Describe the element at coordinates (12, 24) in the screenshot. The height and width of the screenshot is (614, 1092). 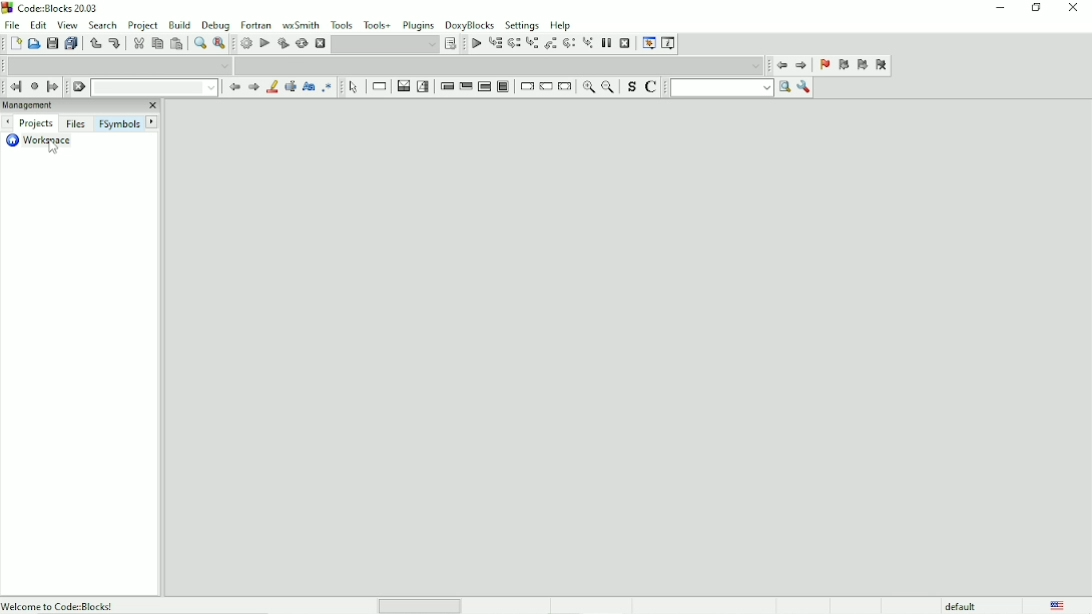
I see `File` at that location.